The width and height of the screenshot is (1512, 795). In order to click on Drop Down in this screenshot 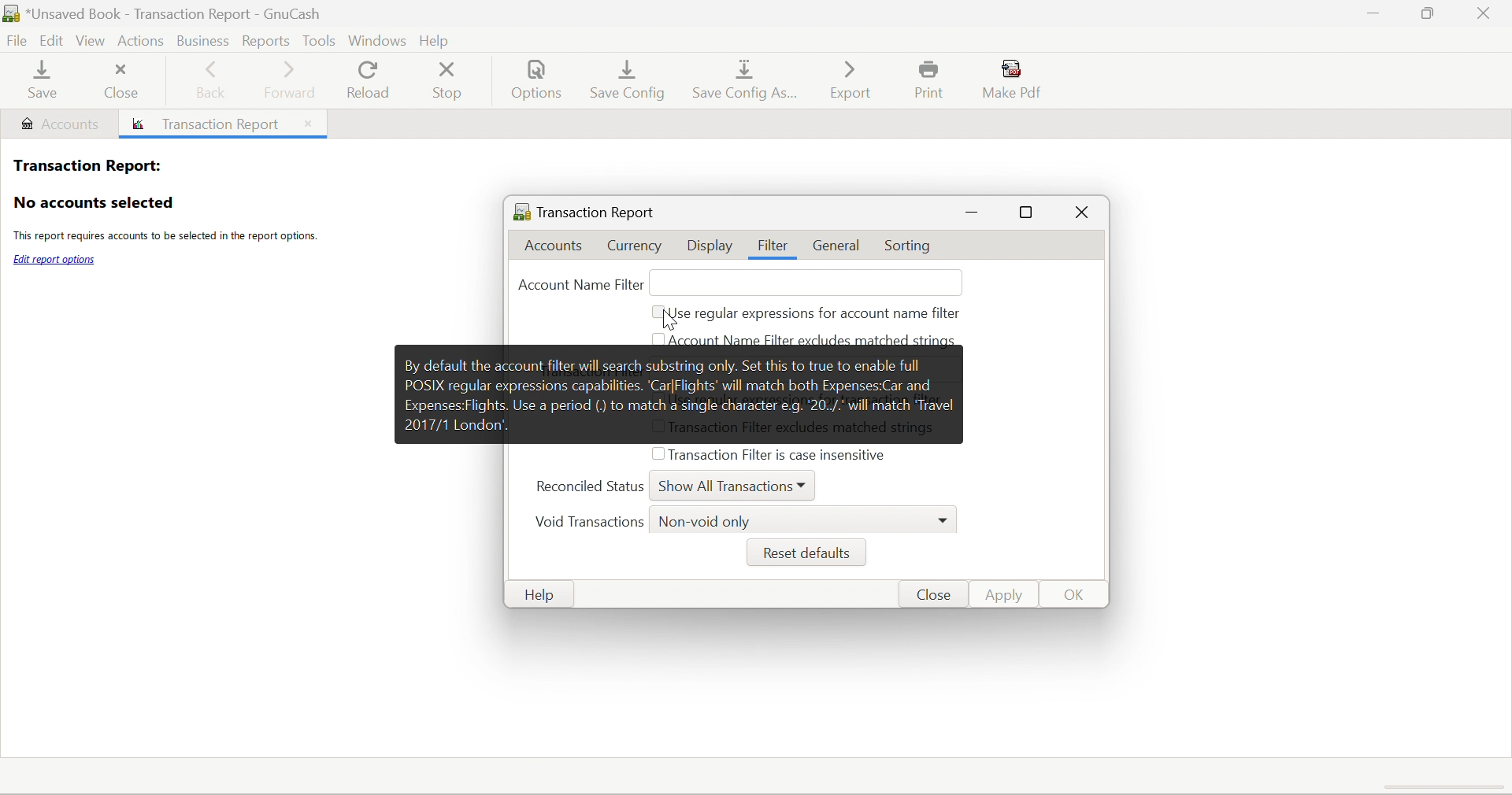, I will do `click(806, 484)`.